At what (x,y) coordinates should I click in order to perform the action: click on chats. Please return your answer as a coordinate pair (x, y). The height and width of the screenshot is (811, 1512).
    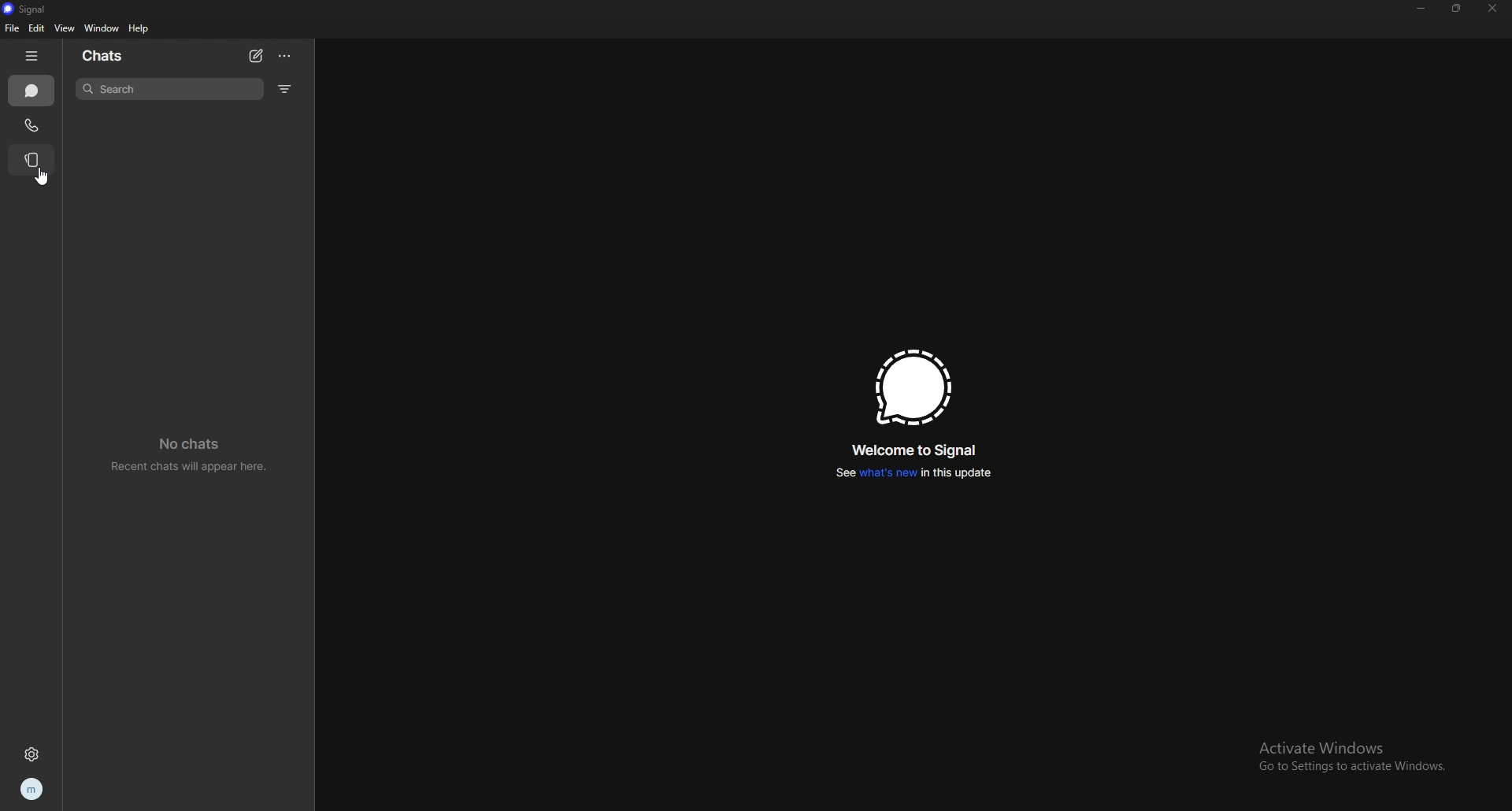
    Looking at the image, I should click on (32, 91).